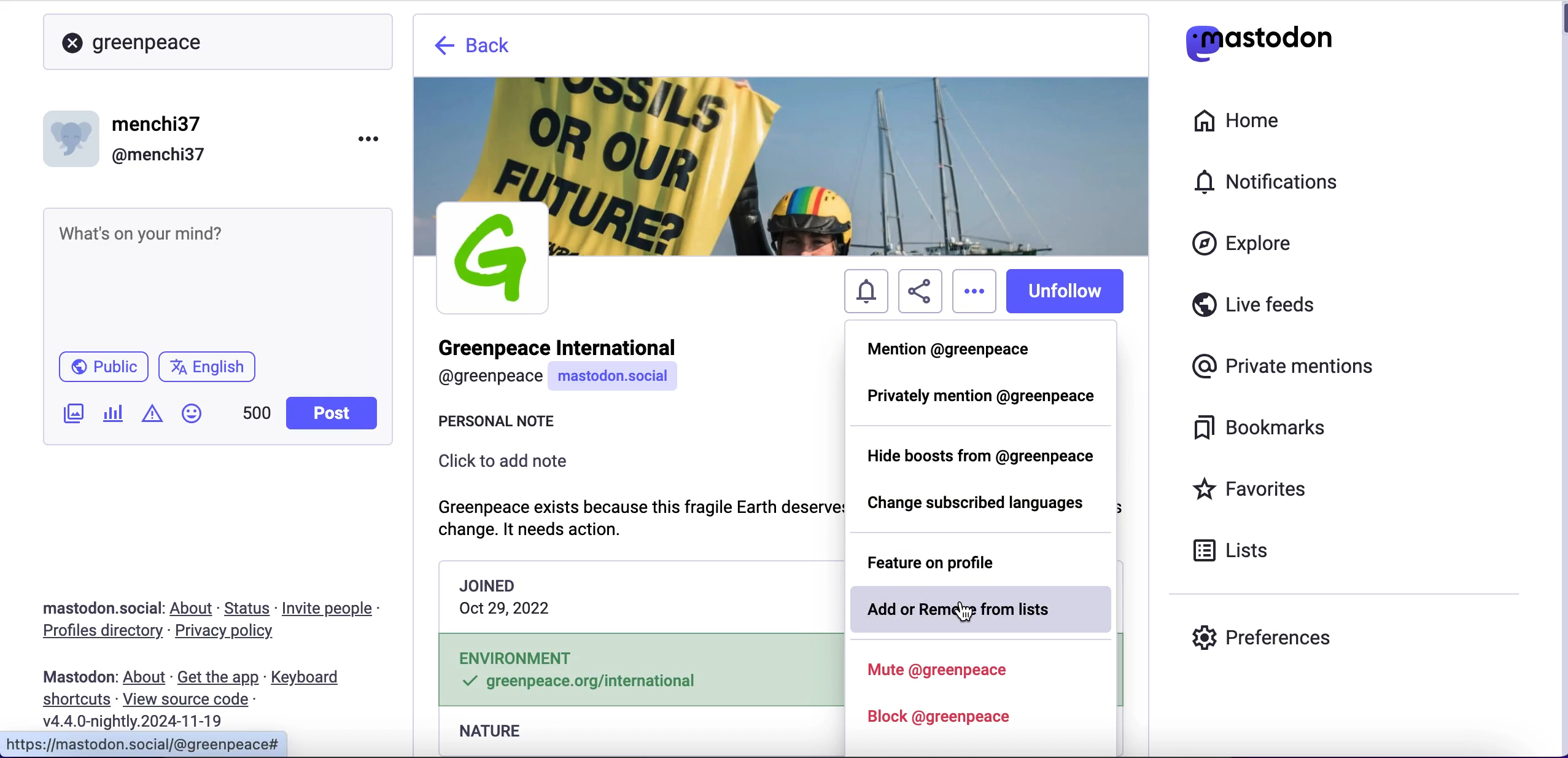 The height and width of the screenshot is (758, 1568). Describe the element at coordinates (492, 257) in the screenshot. I see `profile picture` at that location.